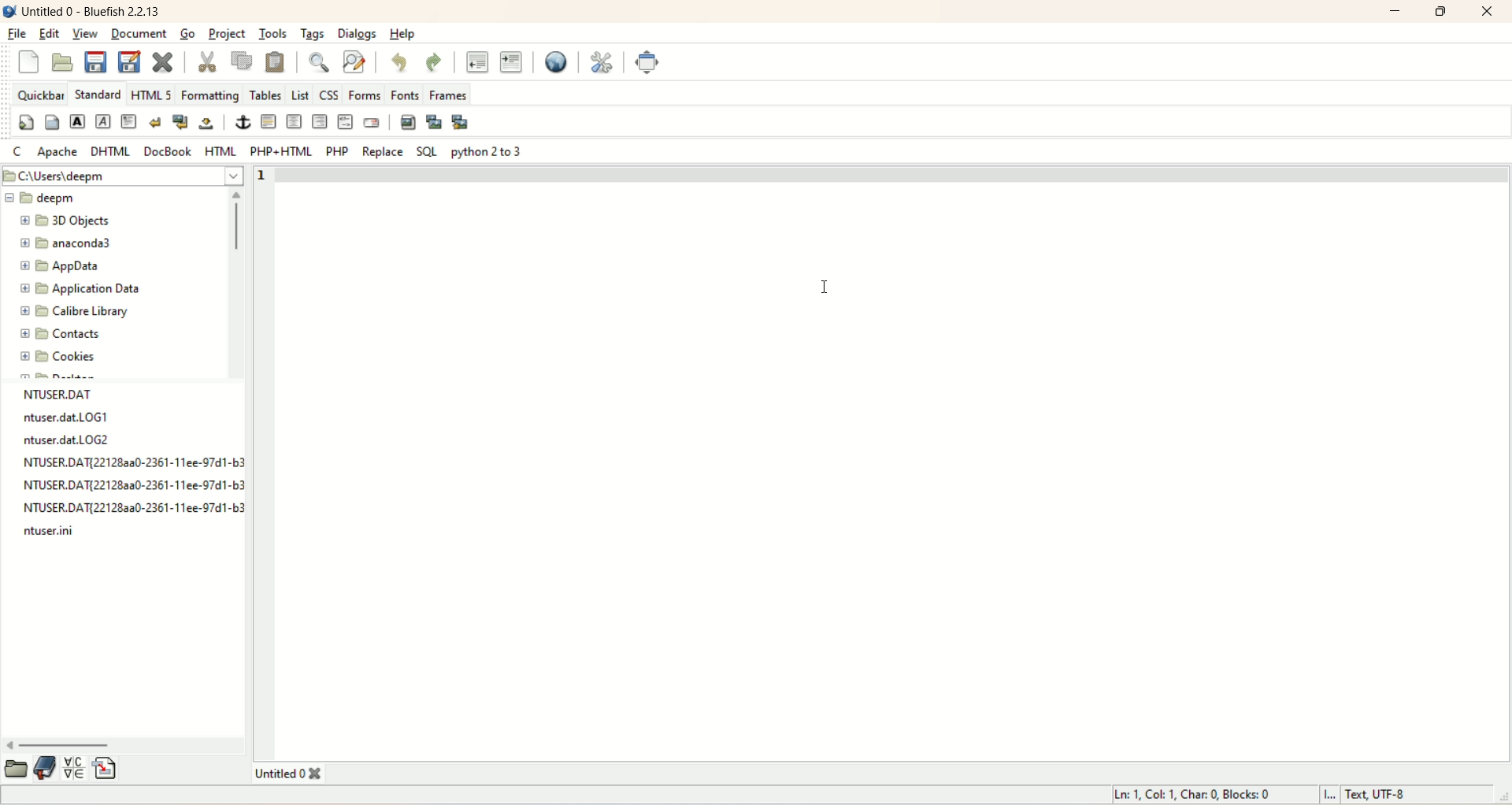 This screenshot has width=1512, height=805. What do you see at coordinates (280, 151) in the screenshot?
I see `PHP+HTML` at bounding box center [280, 151].